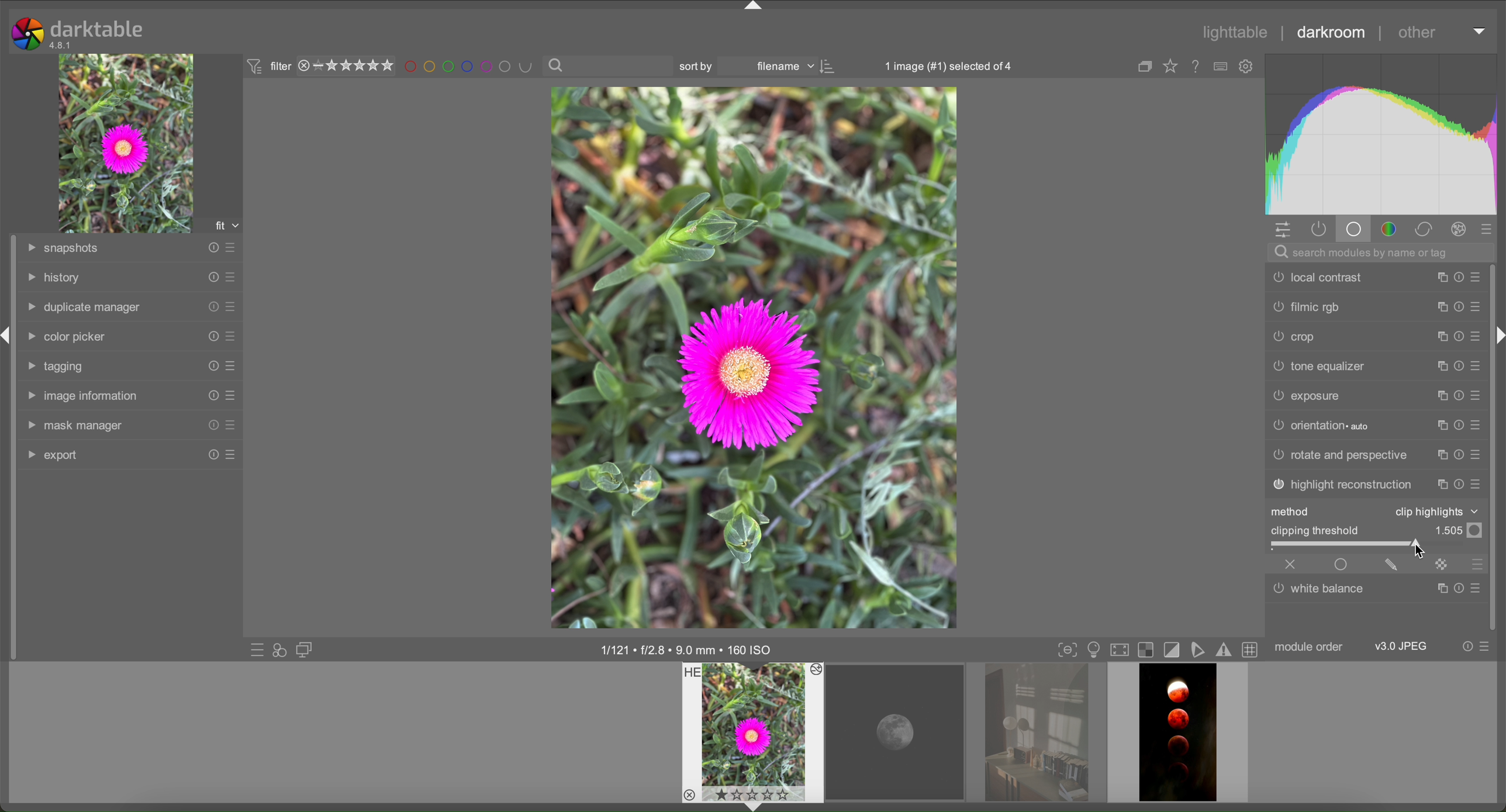 This screenshot has height=812, width=1506. Describe the element at coordinates (1236, 32) in the screenshot. I see `lighttable` at that location.